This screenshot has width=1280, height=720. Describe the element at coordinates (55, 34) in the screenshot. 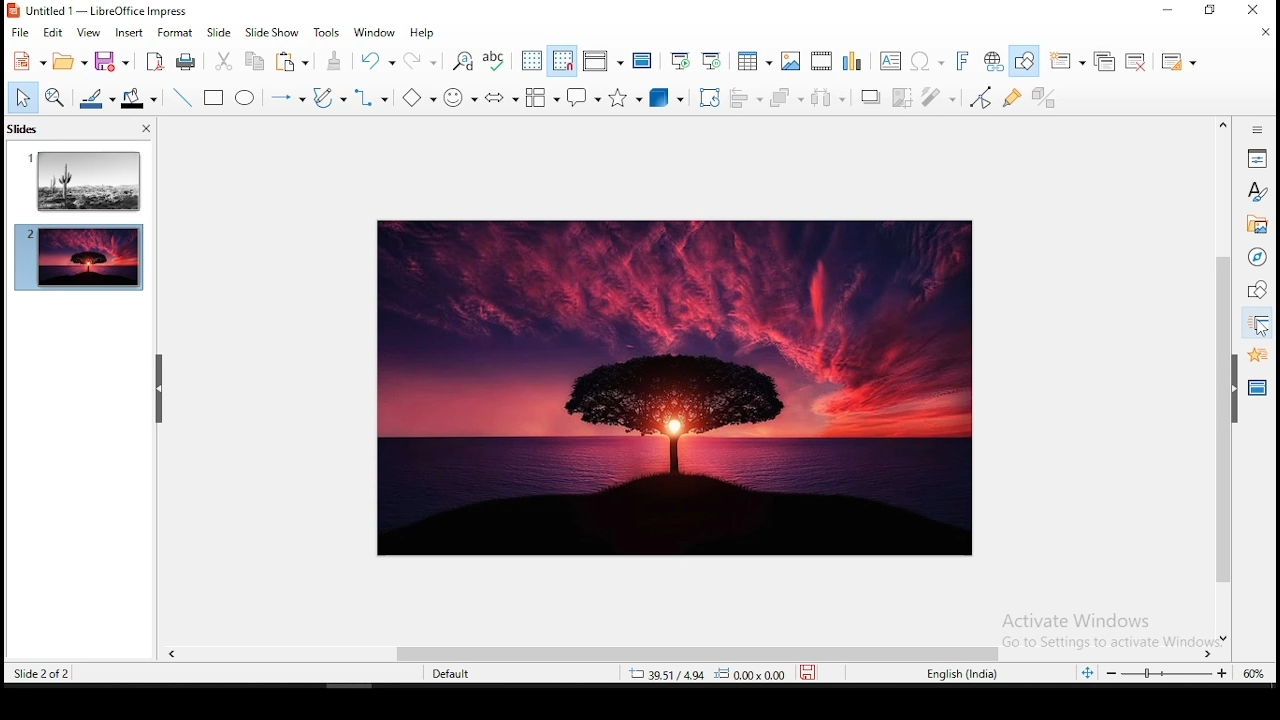

I see `edit` at that location.